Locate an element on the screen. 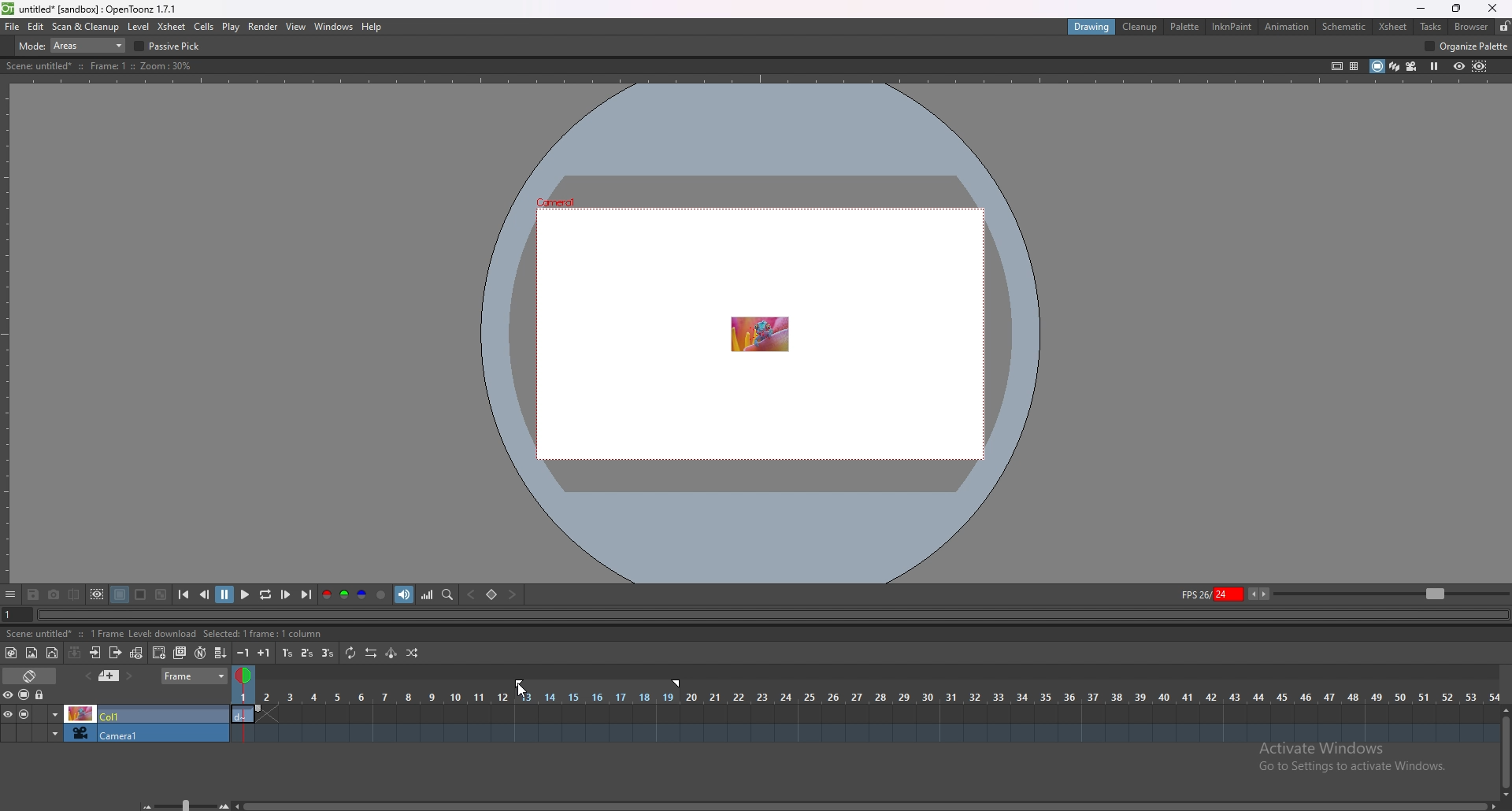 This screenshot has height=811, width=1512. set key is located at coordinates (493, 594).